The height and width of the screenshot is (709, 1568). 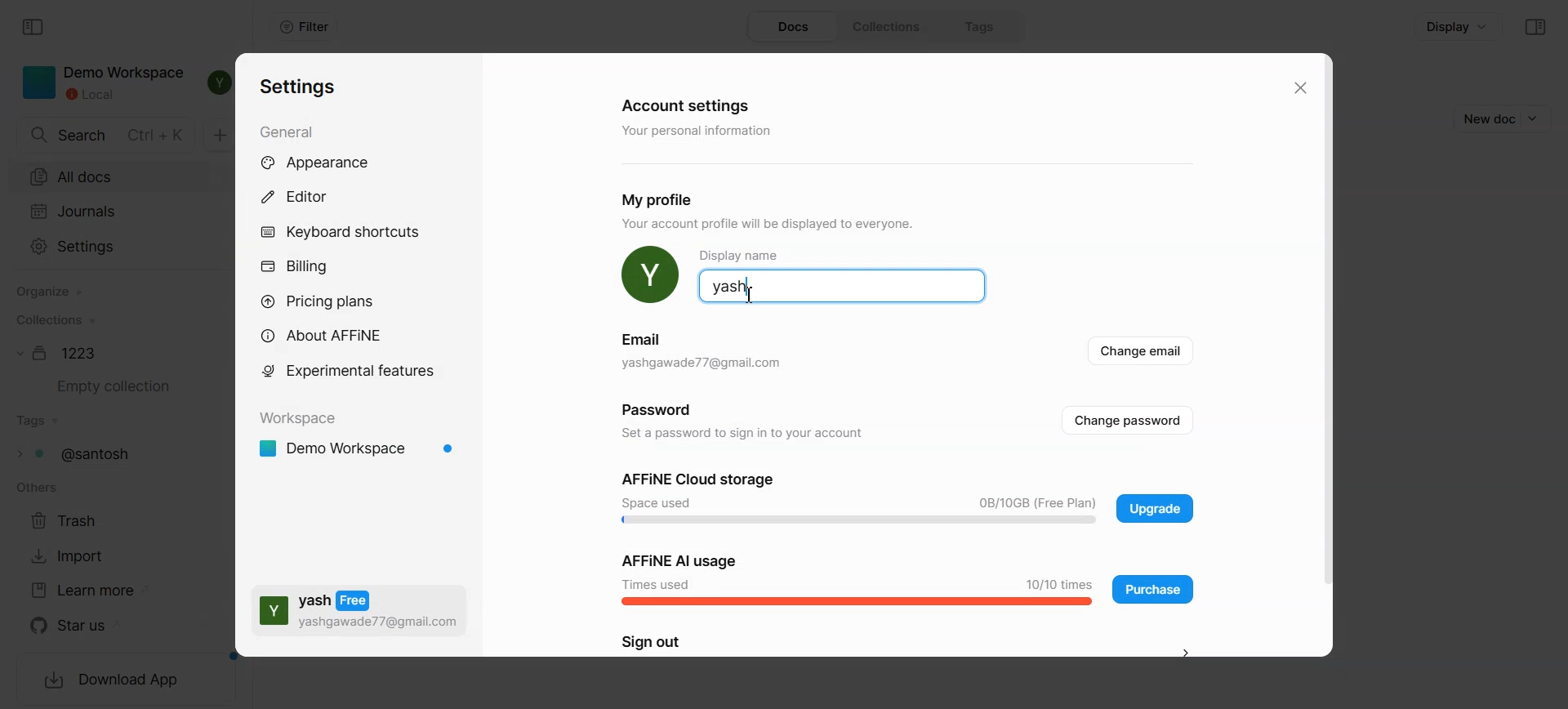 What do you see at coordinates (303, 419) in the screenshot?
I see `Workspace` at bounding box center [303, 419].